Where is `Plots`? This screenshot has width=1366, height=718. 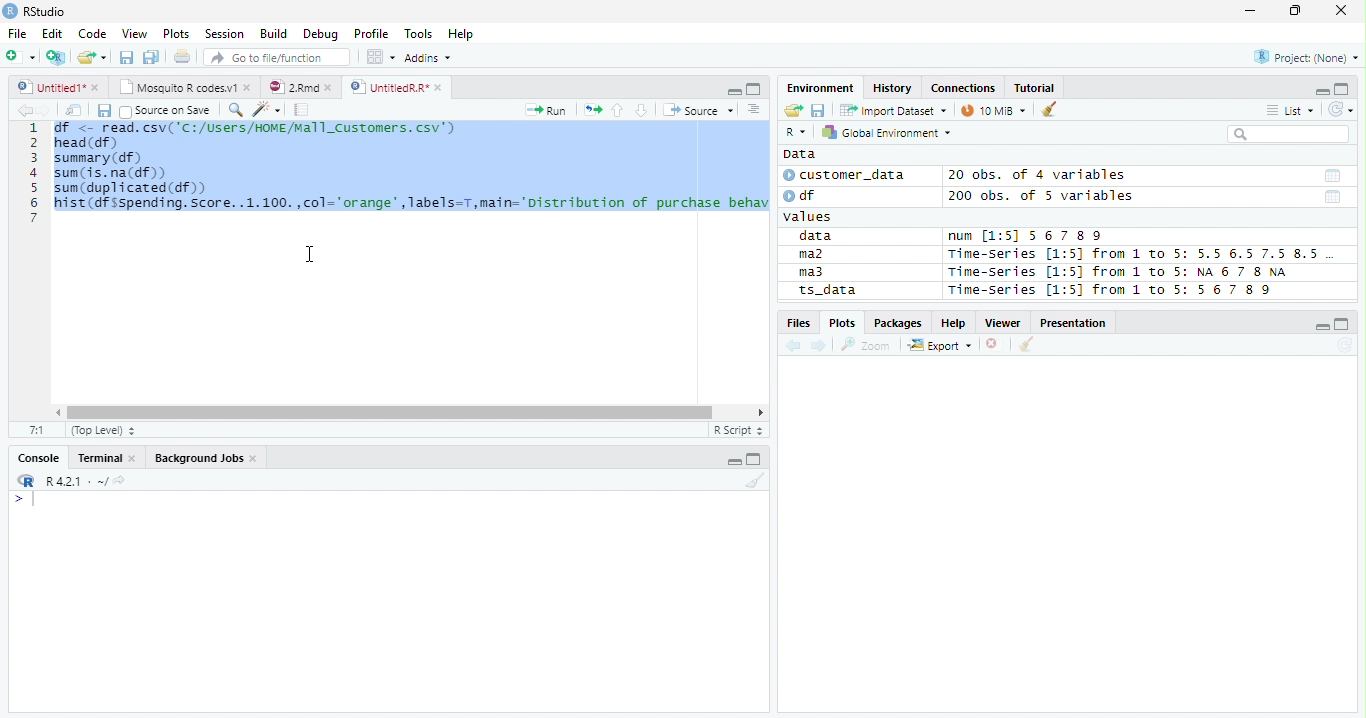
Plots is located at coordinates (842, 322).